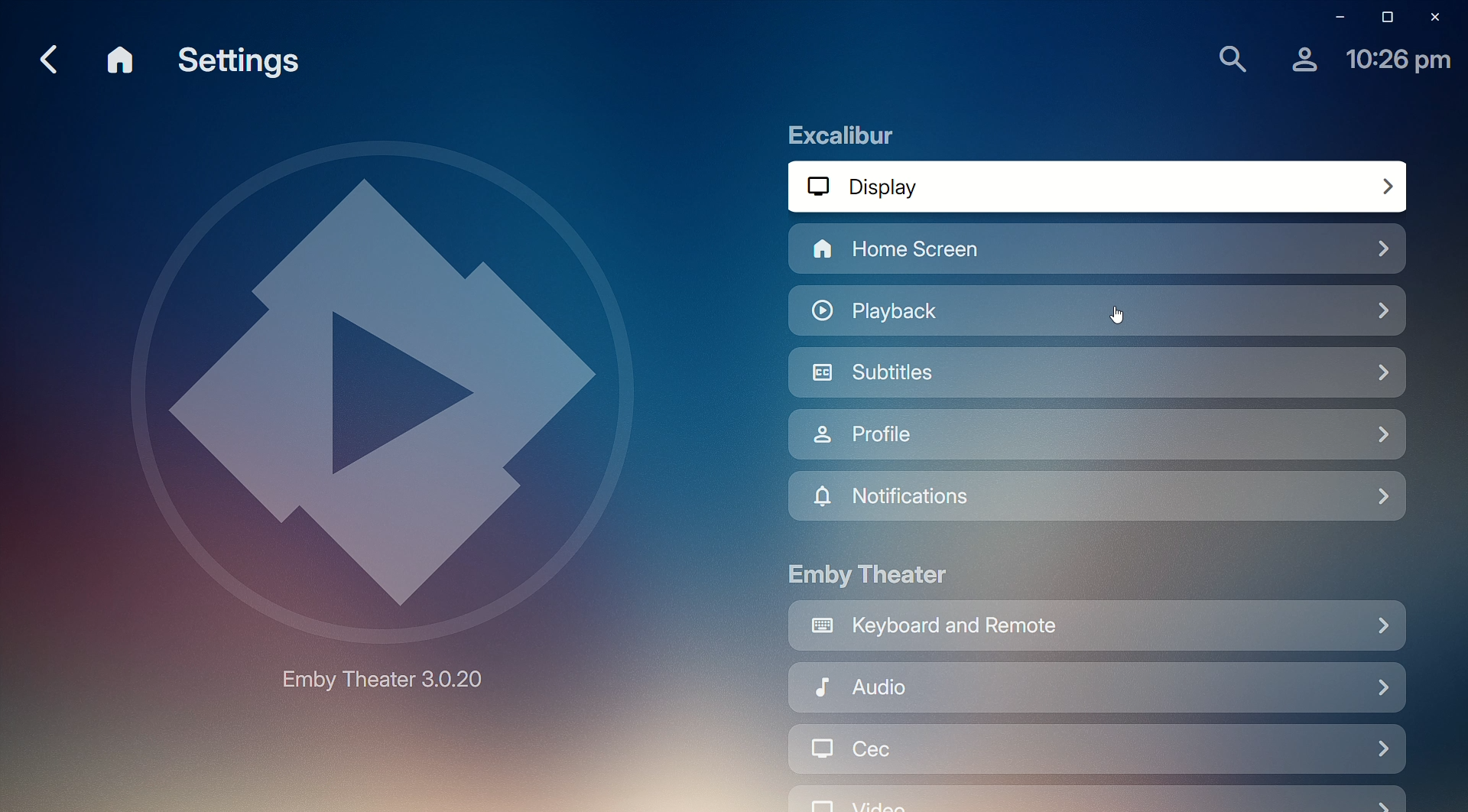 This screenshot has height=812, width=1468. What do you see at coordinates (870, 573) in the screenshot?
I see `Emby Theater` at bounding box center [870, 573].